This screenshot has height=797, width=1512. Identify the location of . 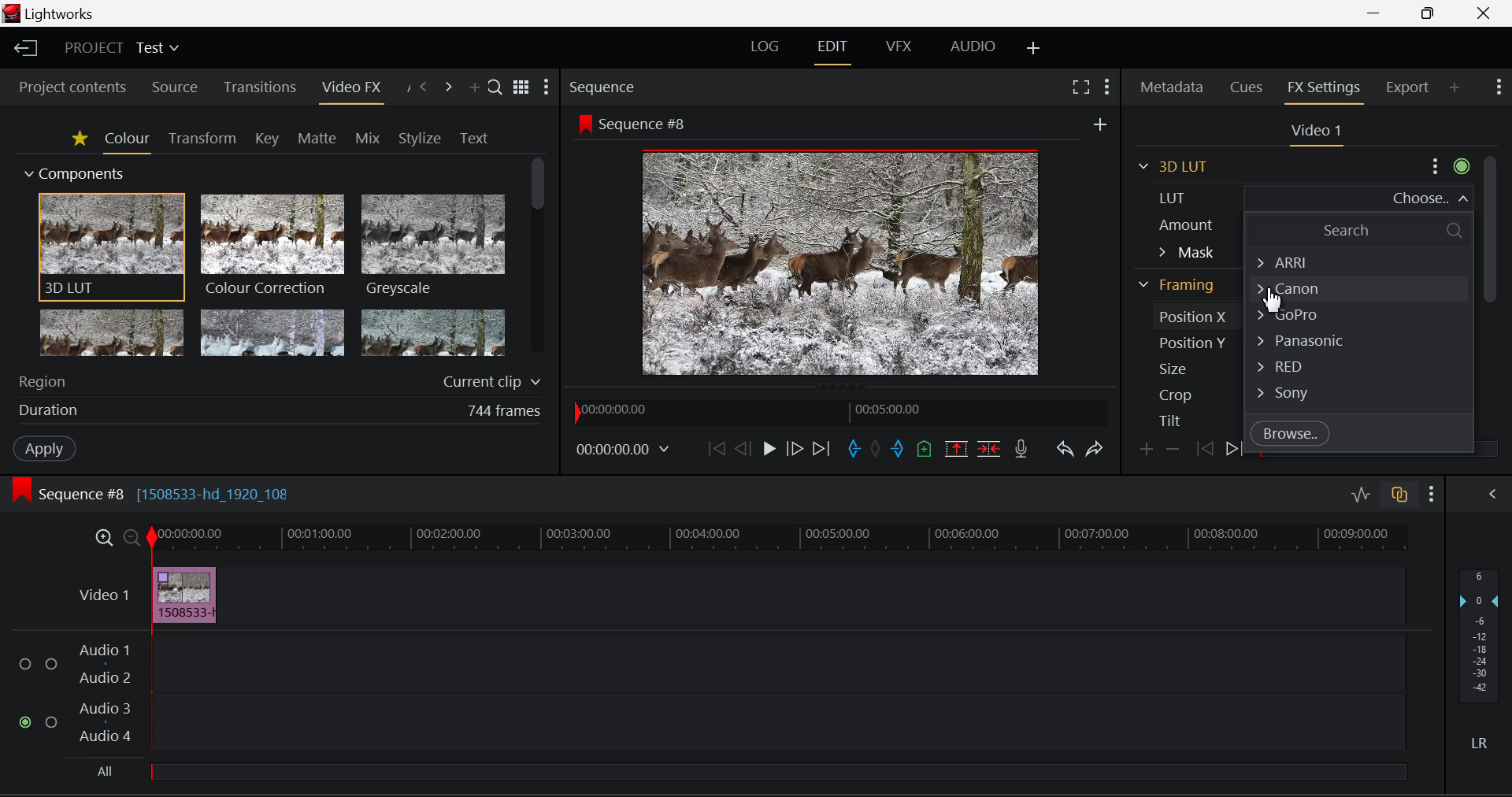
(1099, 124).